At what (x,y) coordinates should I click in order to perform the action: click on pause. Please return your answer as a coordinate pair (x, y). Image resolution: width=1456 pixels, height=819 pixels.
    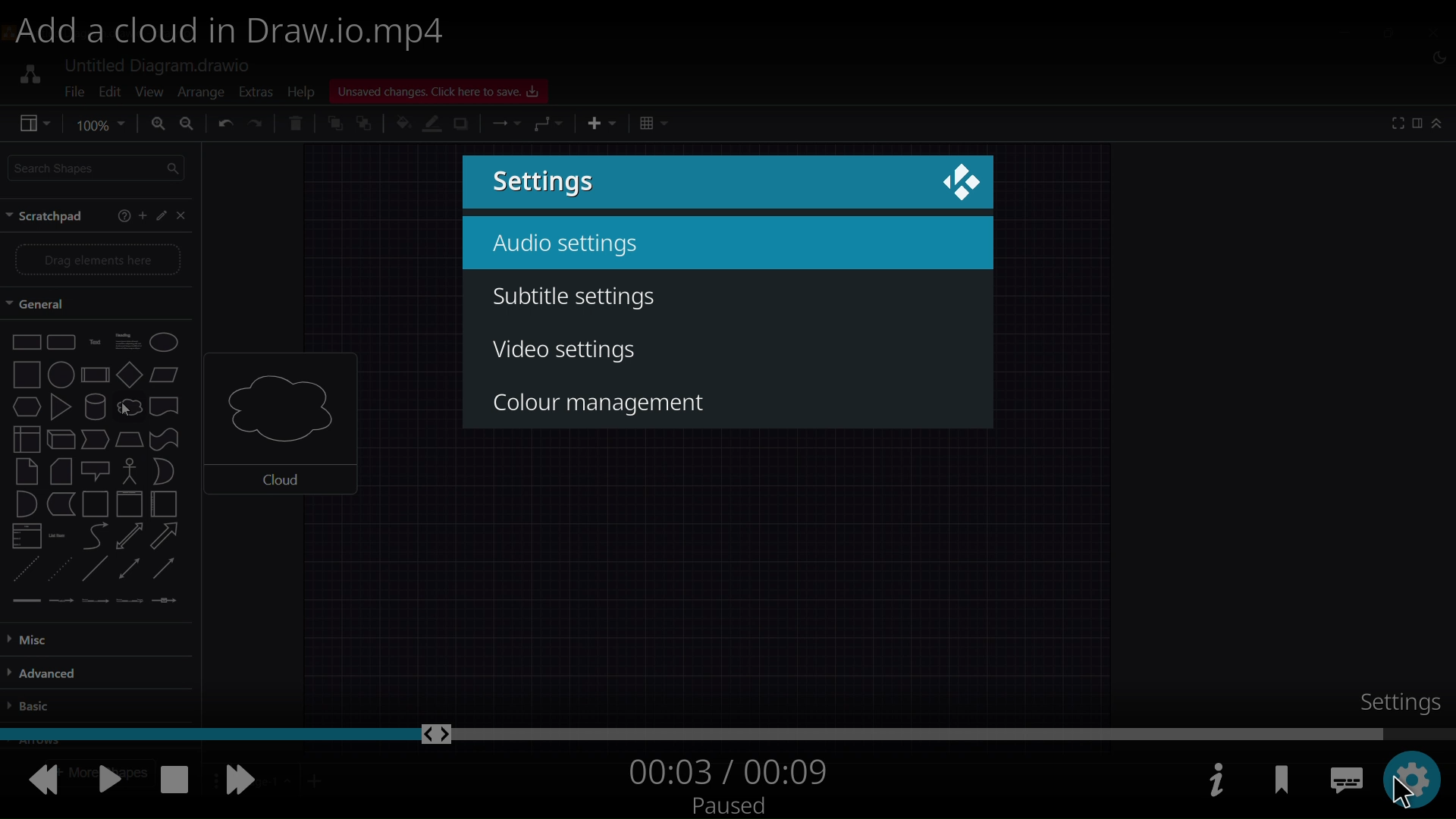
    Looking at the image, I should click on (104, 780).